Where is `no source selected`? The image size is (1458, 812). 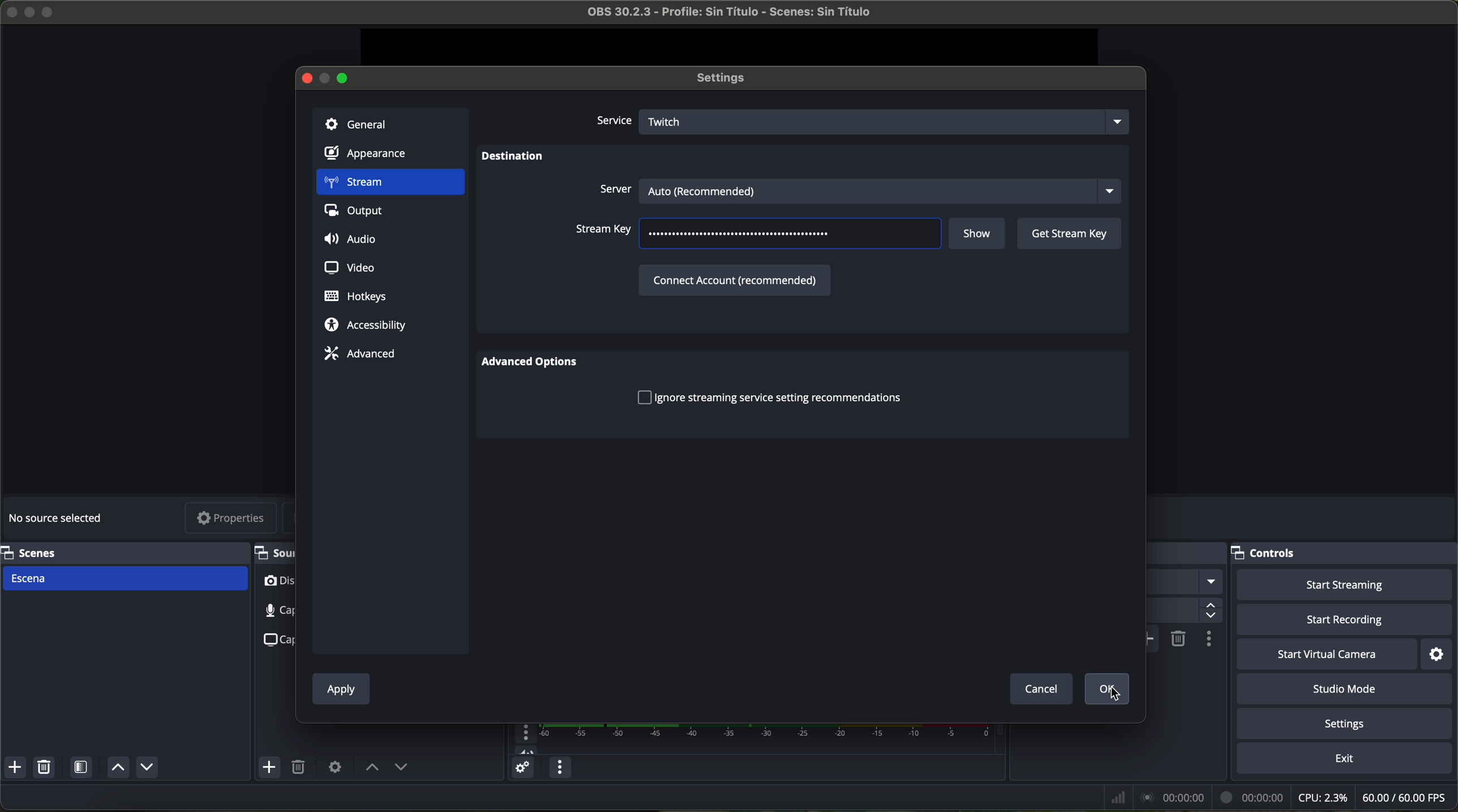 no source selected is located at coordinates (59, 516).